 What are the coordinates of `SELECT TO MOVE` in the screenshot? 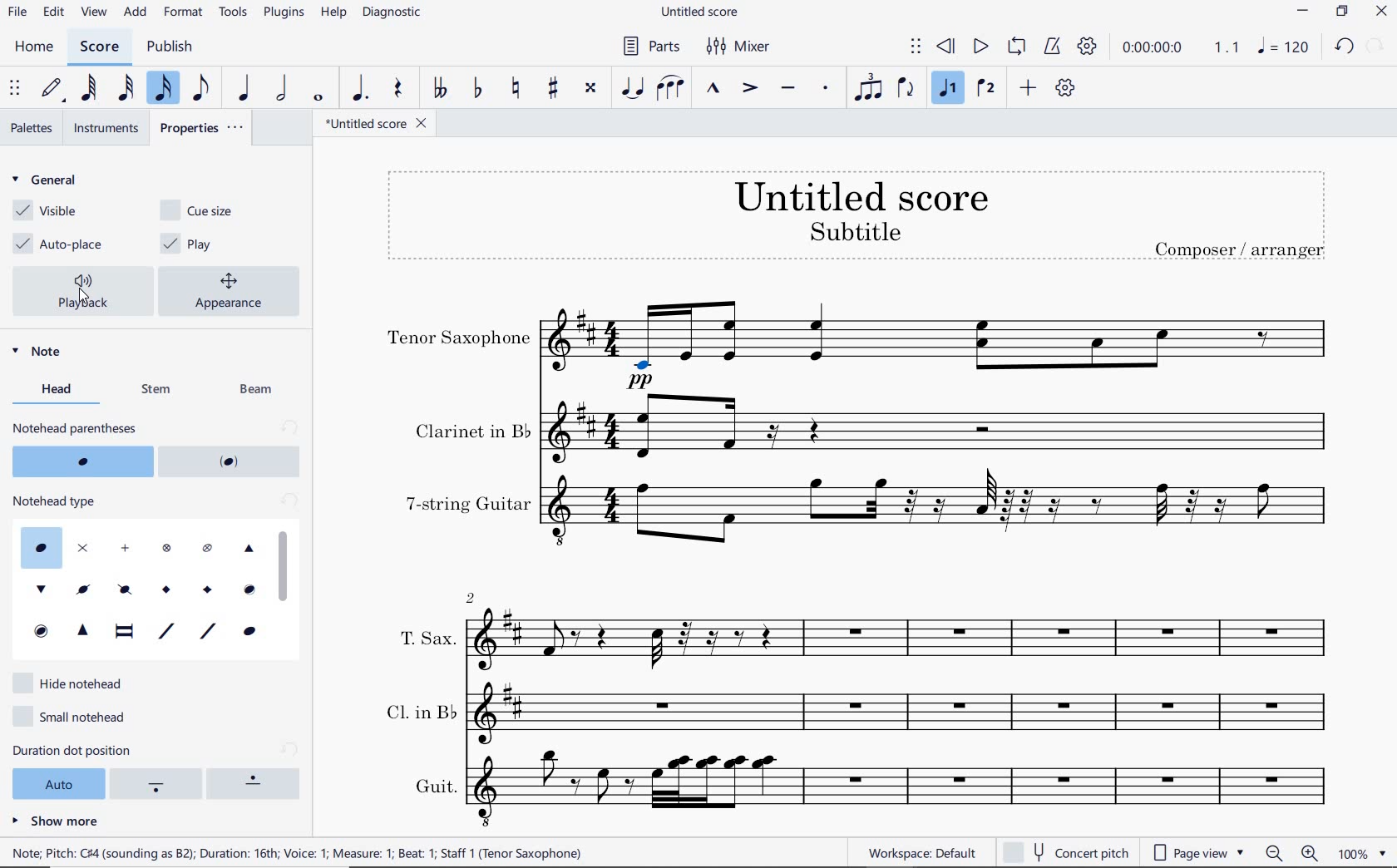 It's located at (919, 47).